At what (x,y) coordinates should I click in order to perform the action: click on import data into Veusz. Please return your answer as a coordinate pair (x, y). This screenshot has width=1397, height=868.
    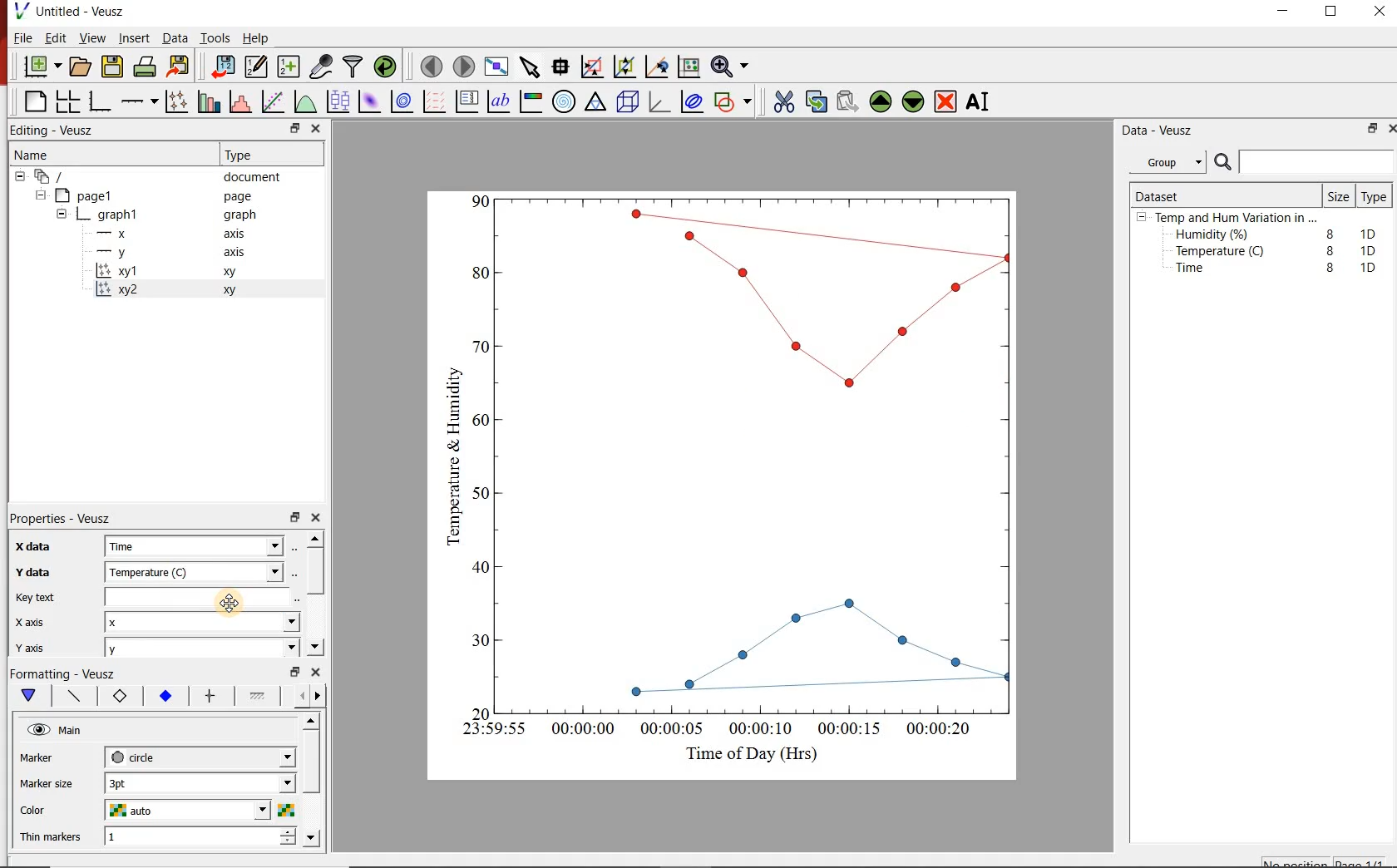
    Looking at the image, I should click on (222, 65).